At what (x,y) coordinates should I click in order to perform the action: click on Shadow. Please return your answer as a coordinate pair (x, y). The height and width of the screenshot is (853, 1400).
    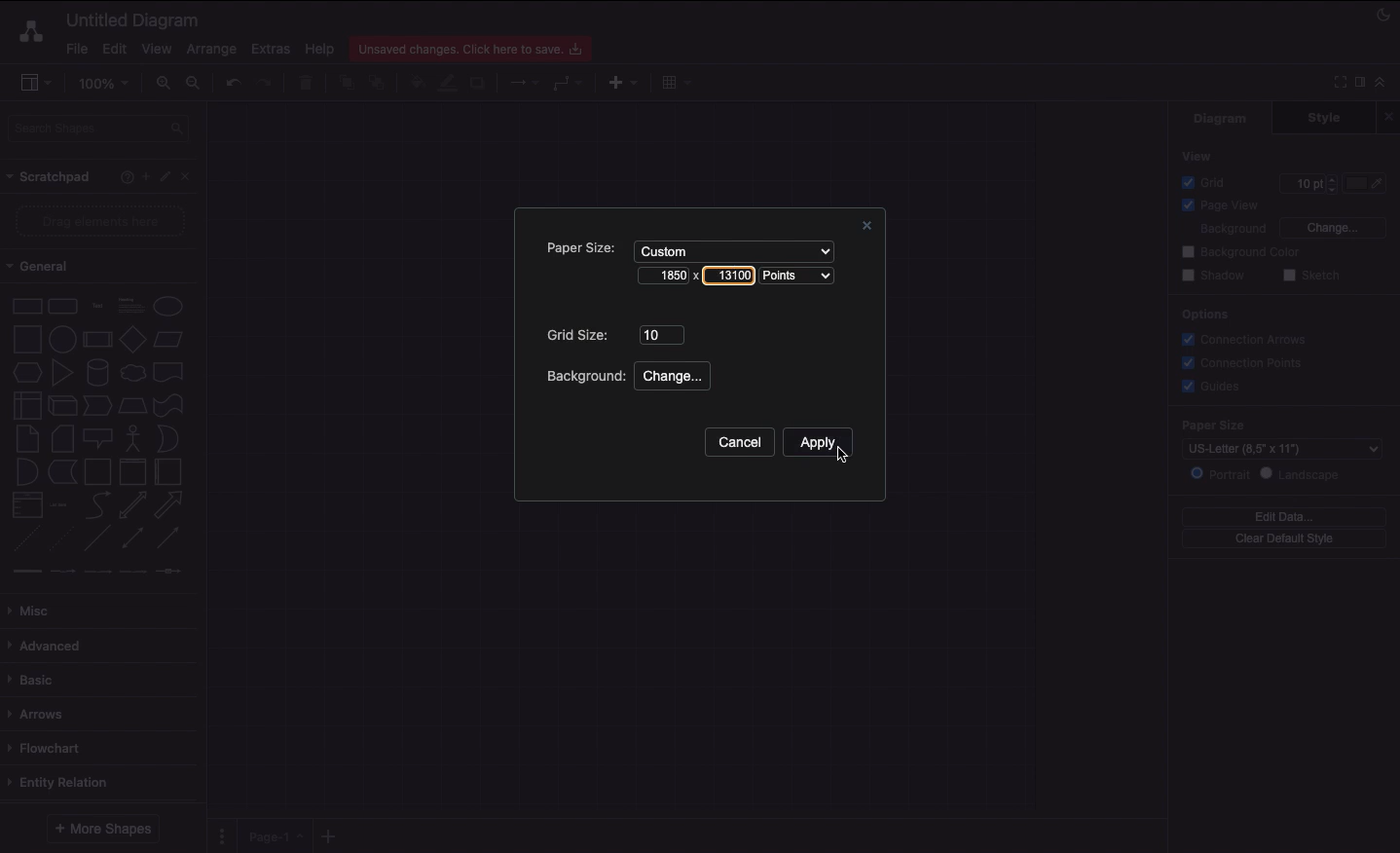
    Looking at the image, I should click on (1213, 275).